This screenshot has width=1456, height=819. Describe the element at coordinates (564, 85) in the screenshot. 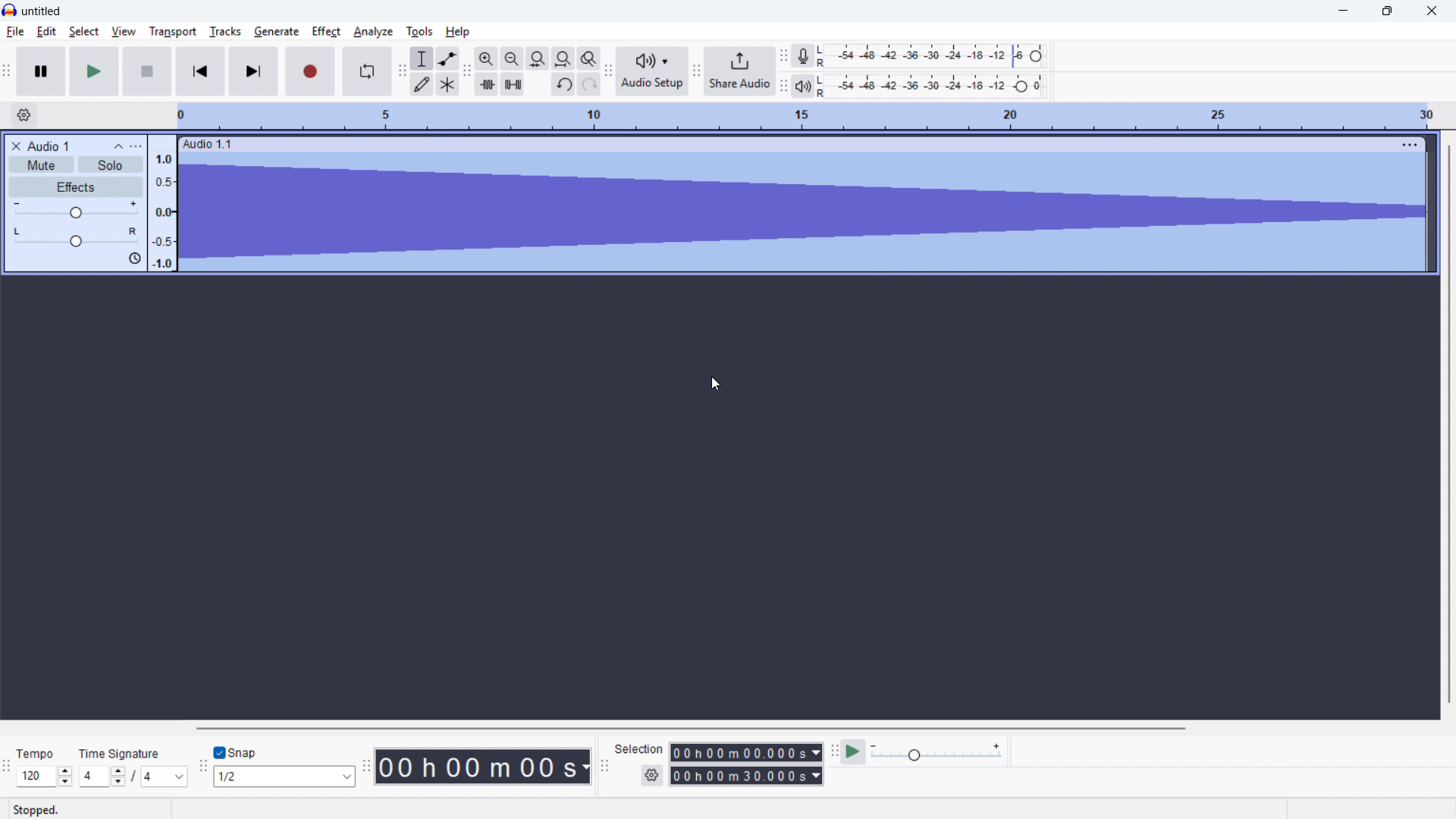

I see `Undo ` at that location.